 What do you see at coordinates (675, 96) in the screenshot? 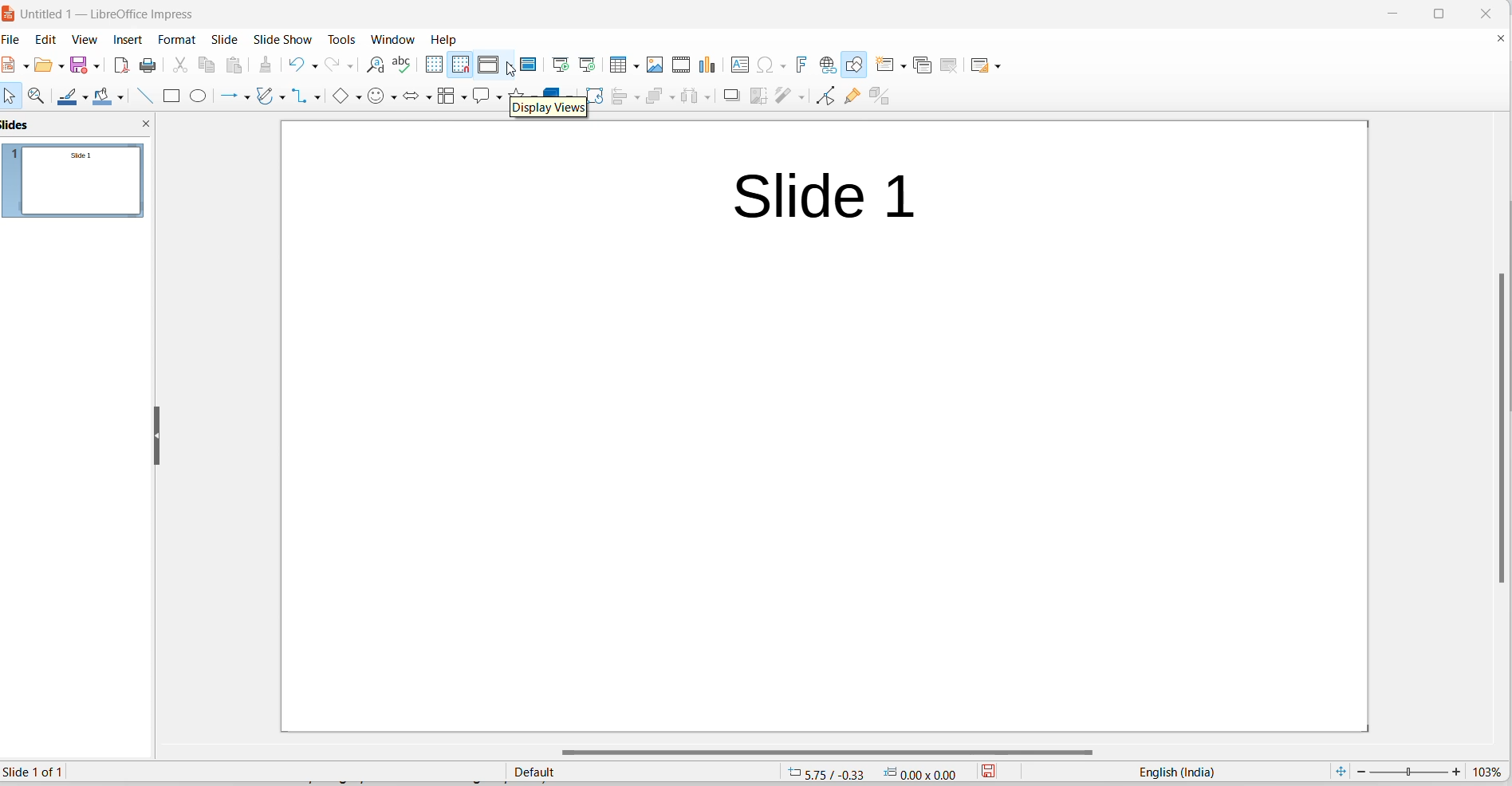
I see `arrange options` at bounding box center [675, 96].